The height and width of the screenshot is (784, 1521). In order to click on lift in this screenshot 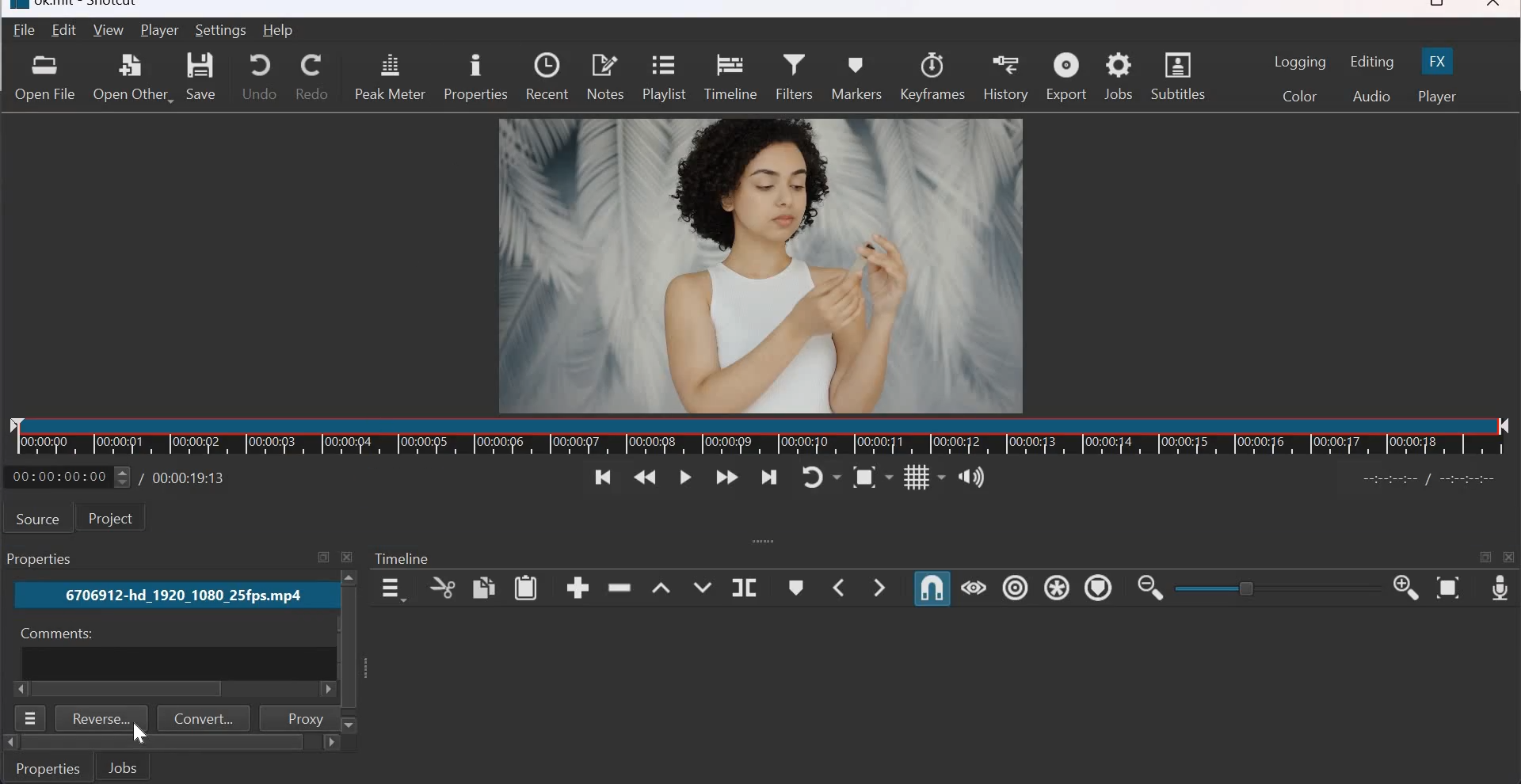, I will do `click(661, 585)`.